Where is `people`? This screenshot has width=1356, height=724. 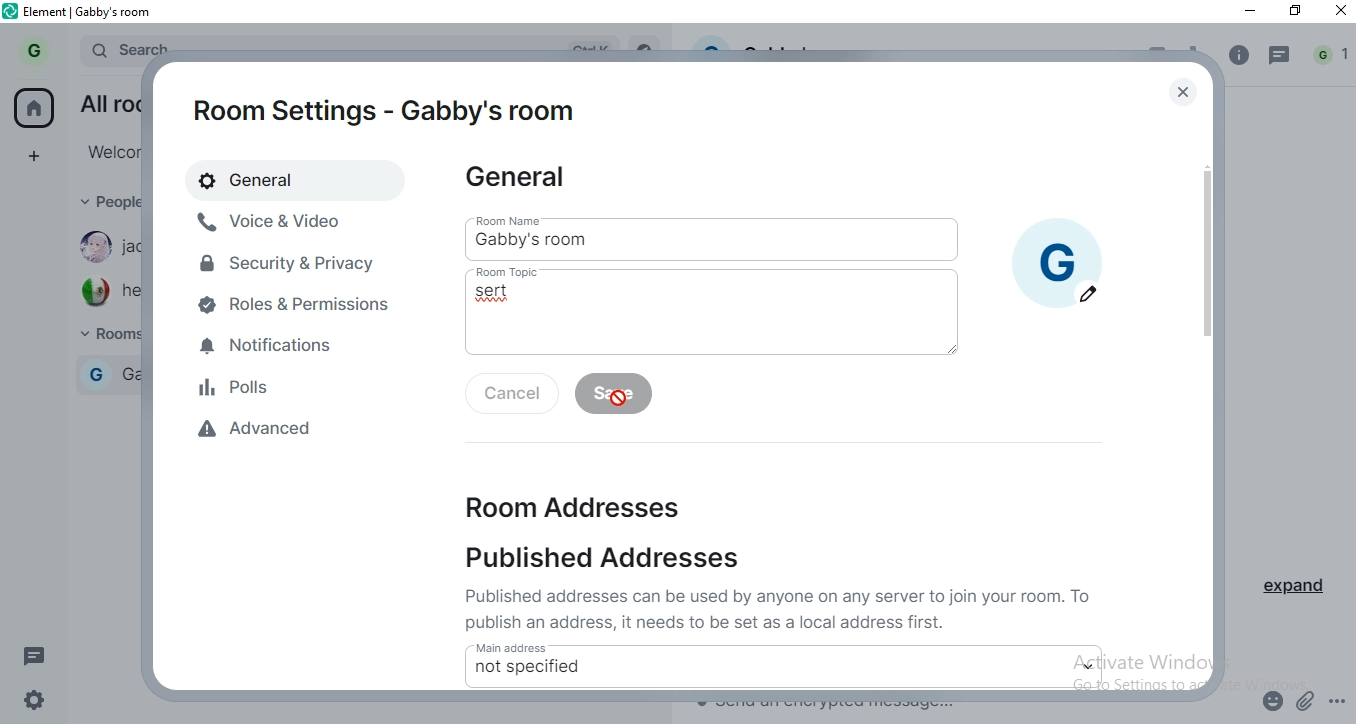
people is located at coordinates (106, 203).